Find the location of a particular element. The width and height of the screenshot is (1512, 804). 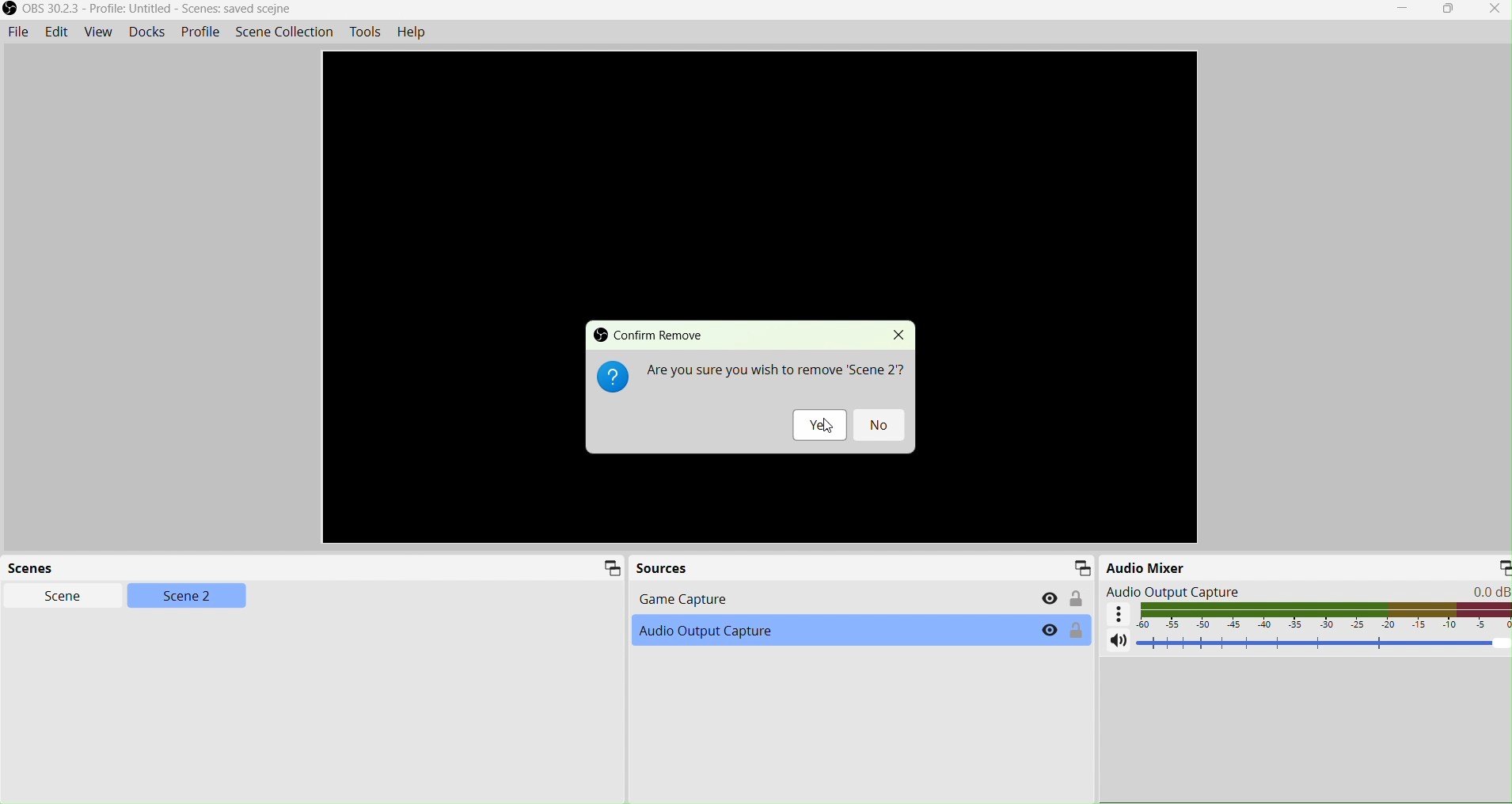

Audio display  is located at coordinates (1324, 616).